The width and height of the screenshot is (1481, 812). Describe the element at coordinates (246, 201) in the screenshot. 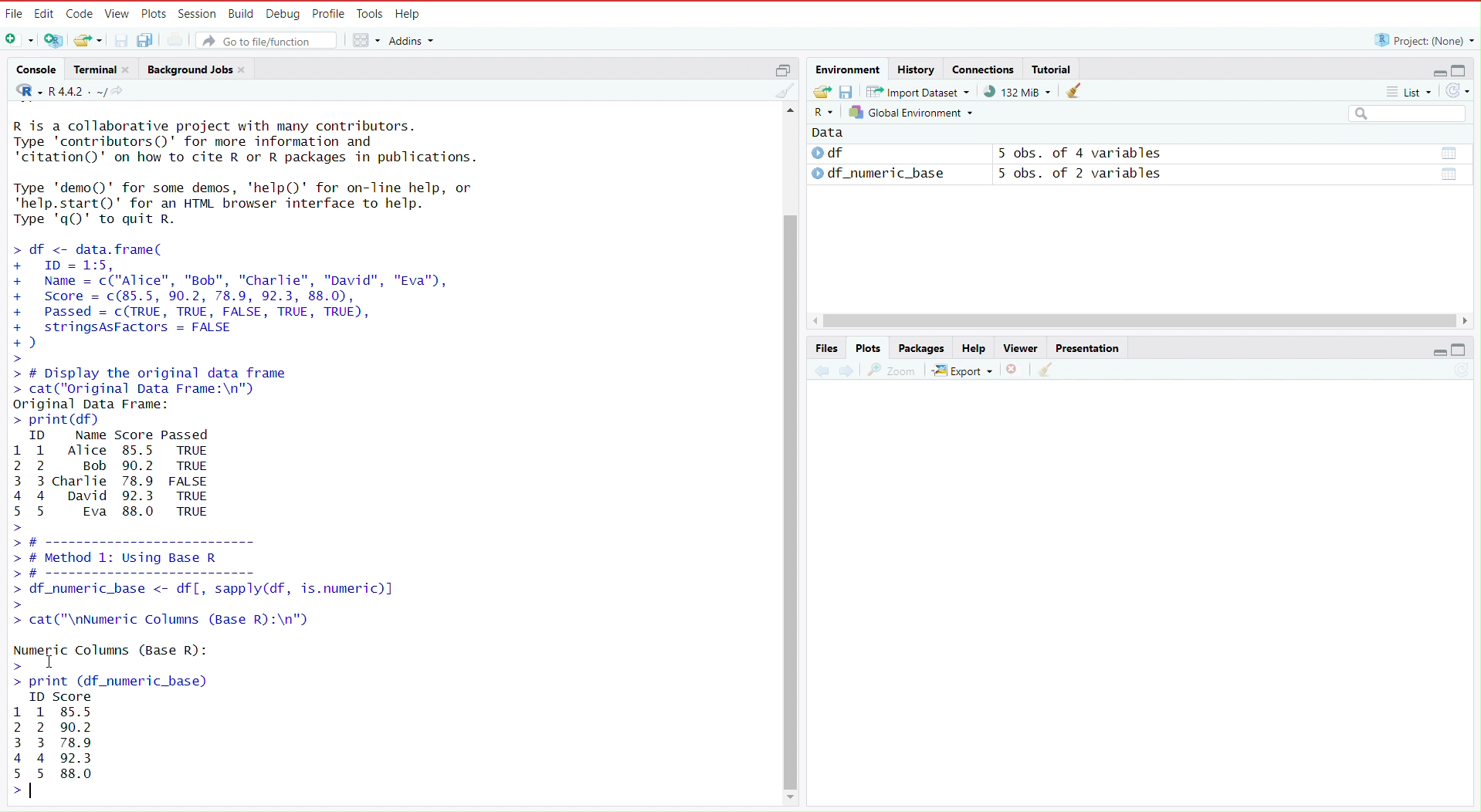

I see `Type 'demo()' for some demos, 'help()' for on-line help, or
*help.start()' for an HTML browser interface to help.
Type 'q()' to quit R.` at that location.